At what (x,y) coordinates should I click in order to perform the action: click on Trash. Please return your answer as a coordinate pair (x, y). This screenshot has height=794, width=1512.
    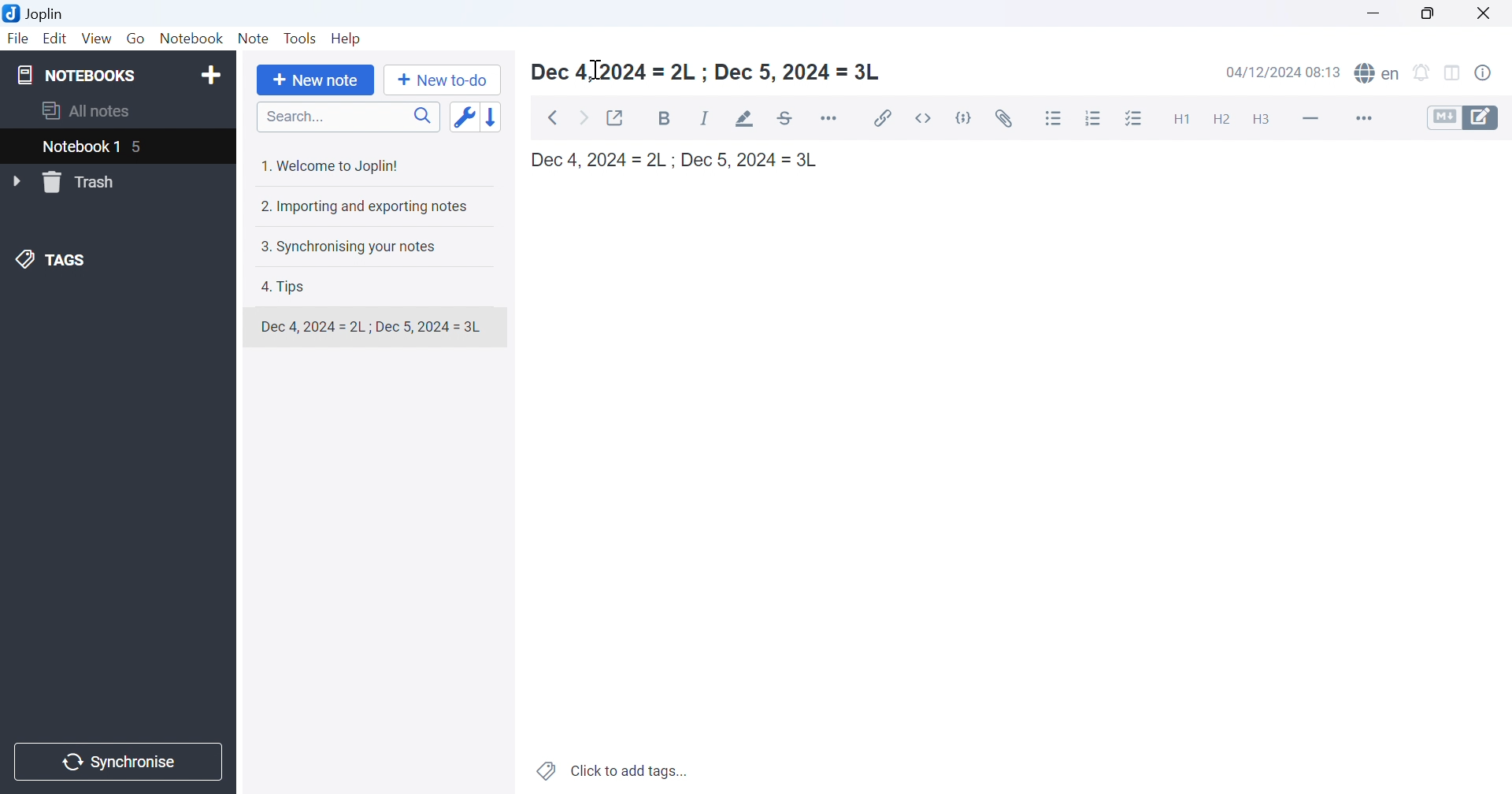
    Looking at the image, I should click on (81, 182).